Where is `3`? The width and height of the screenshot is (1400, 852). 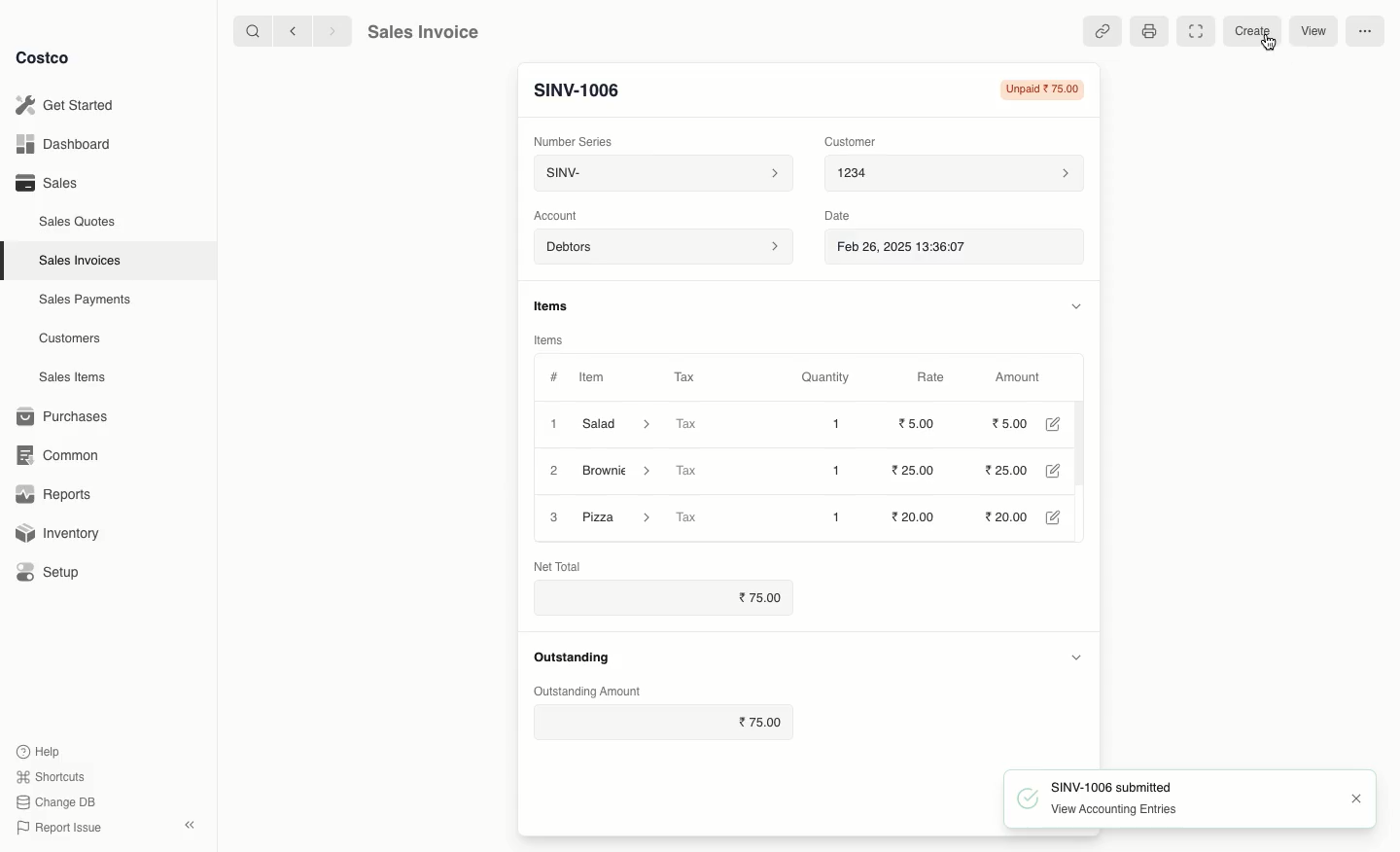
3 is located at coordinates (555, 517).